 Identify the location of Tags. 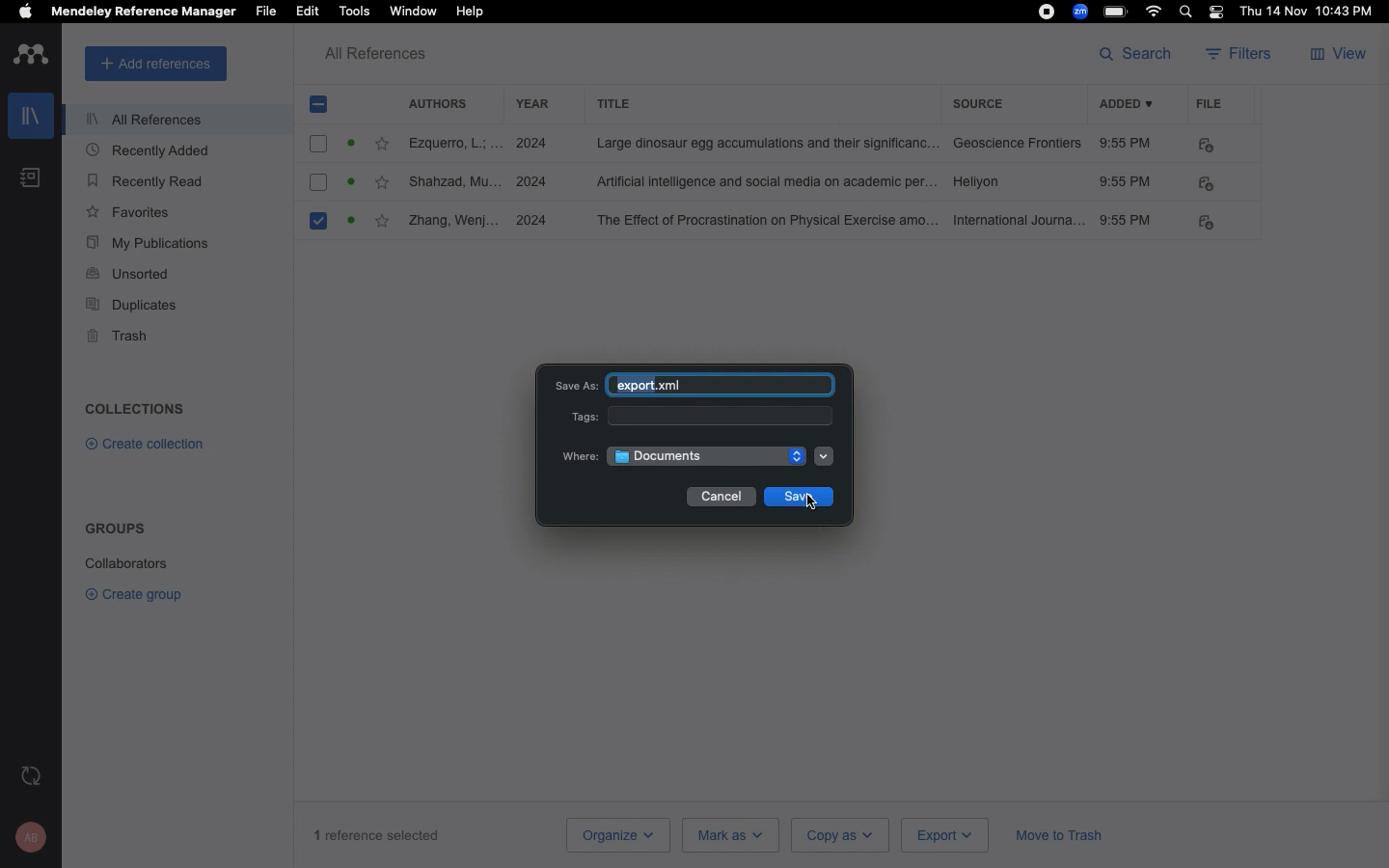
(583, 419).